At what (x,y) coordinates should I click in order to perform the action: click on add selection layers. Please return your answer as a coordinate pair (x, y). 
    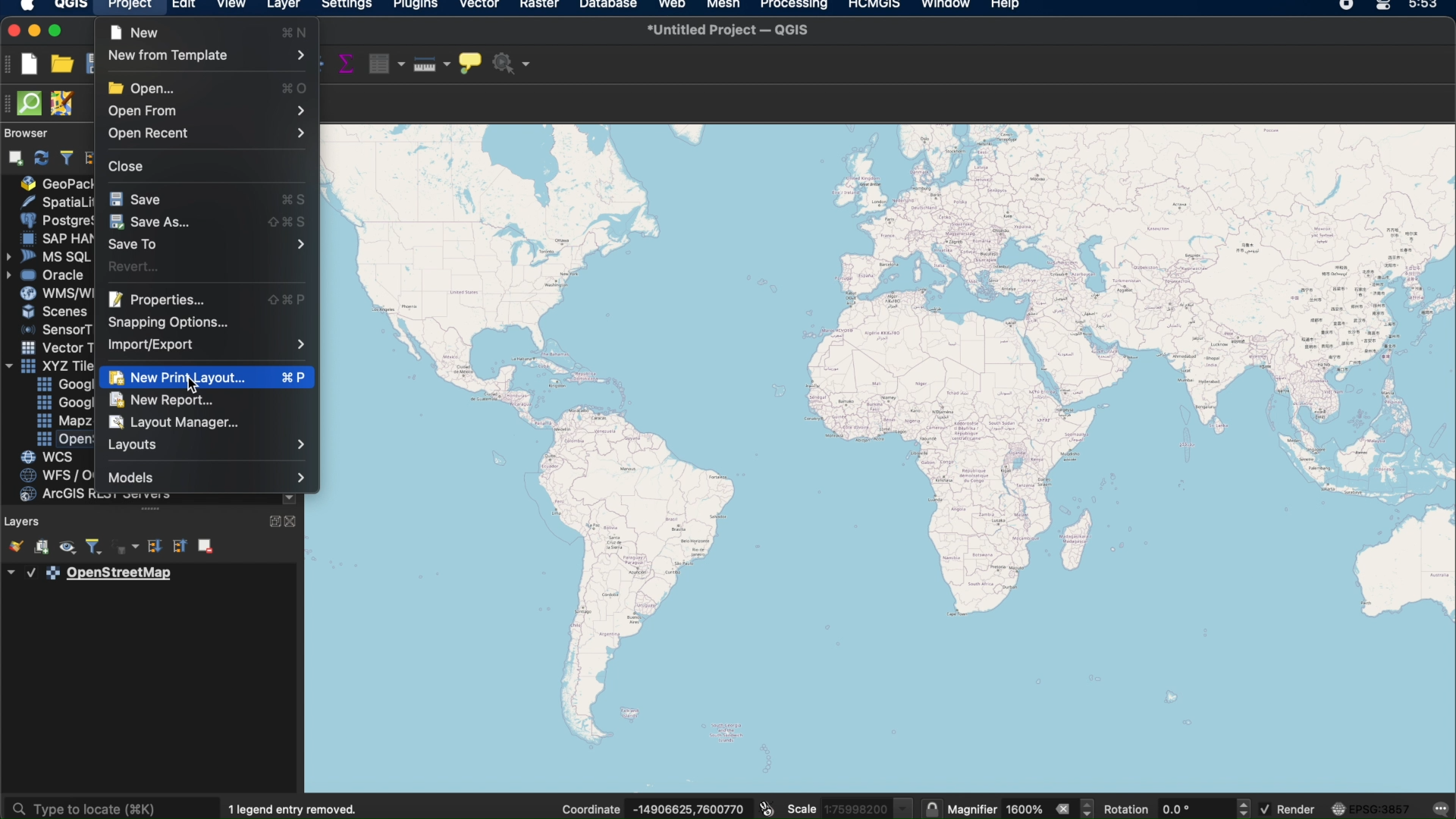
    Looking at the image, I should click on (12, 158).